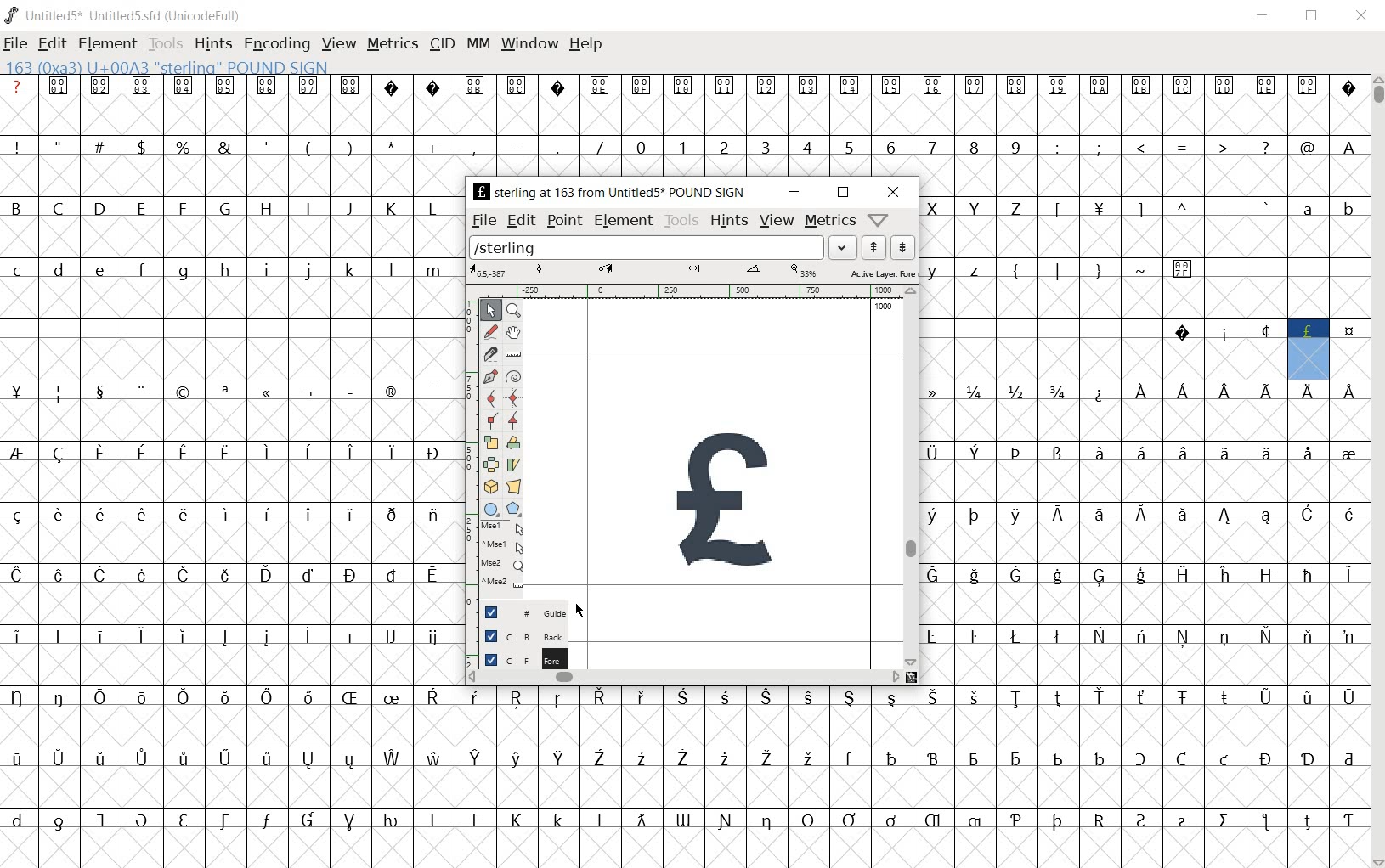 The width and height of the screenshot is (1385, 868). What do you see at coordinates (647, 245) in the screenshot?
I see `/sterling` at bounding box center [647, 245].